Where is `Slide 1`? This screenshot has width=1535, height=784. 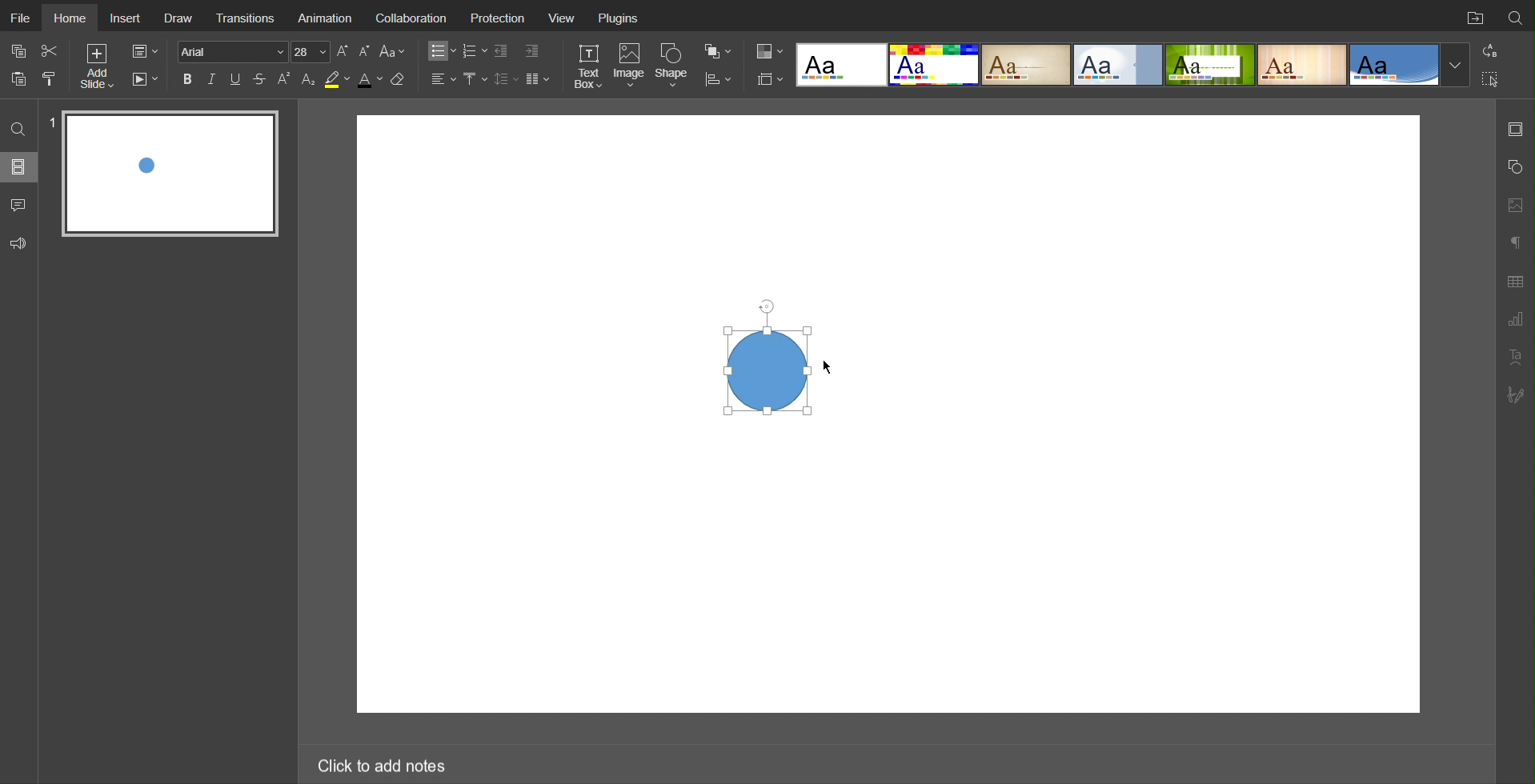
Slide 1 is located at coordinates (173, 174).